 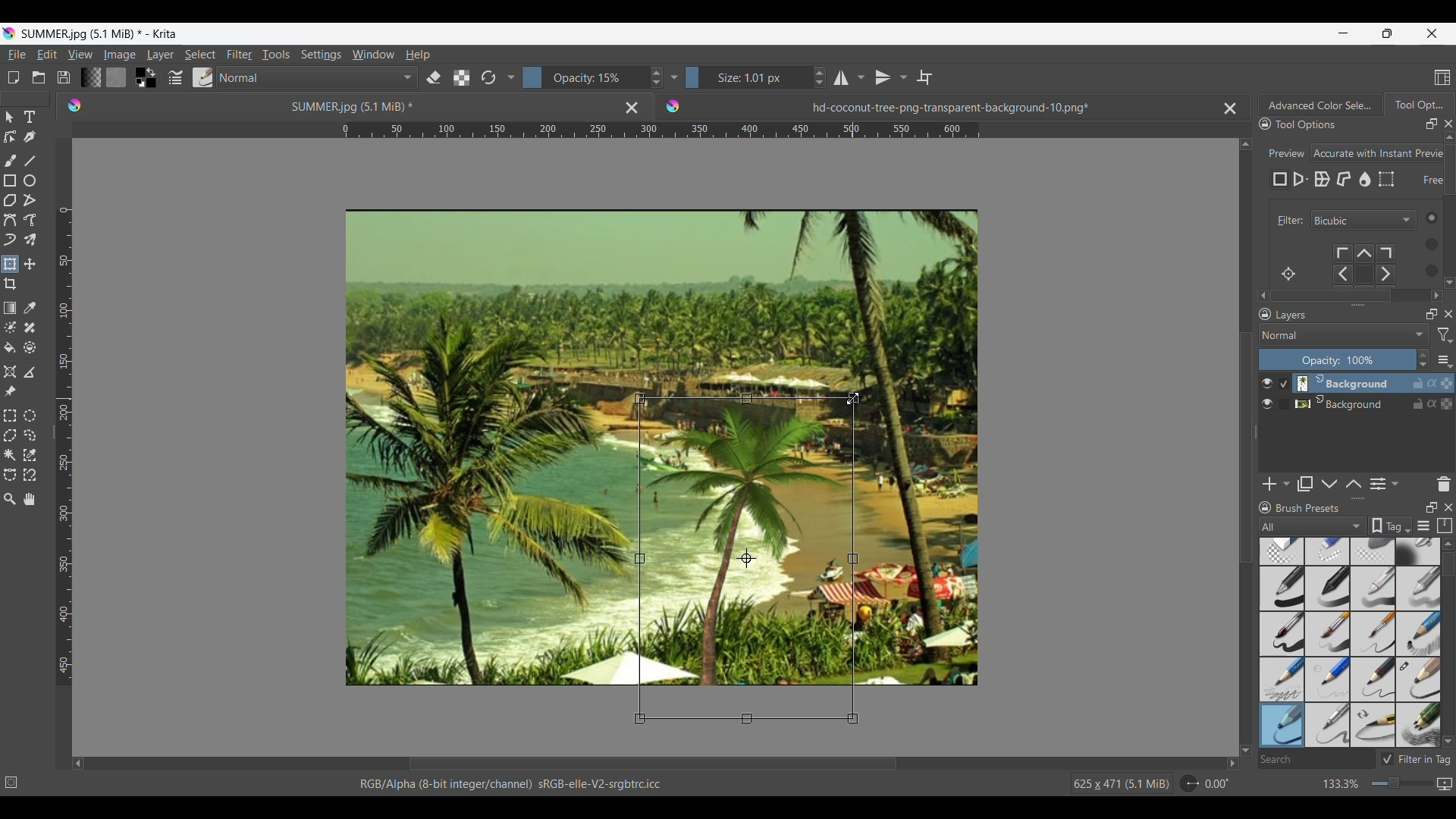 I want to click on Zoom tool, so click(x=10, y=499).